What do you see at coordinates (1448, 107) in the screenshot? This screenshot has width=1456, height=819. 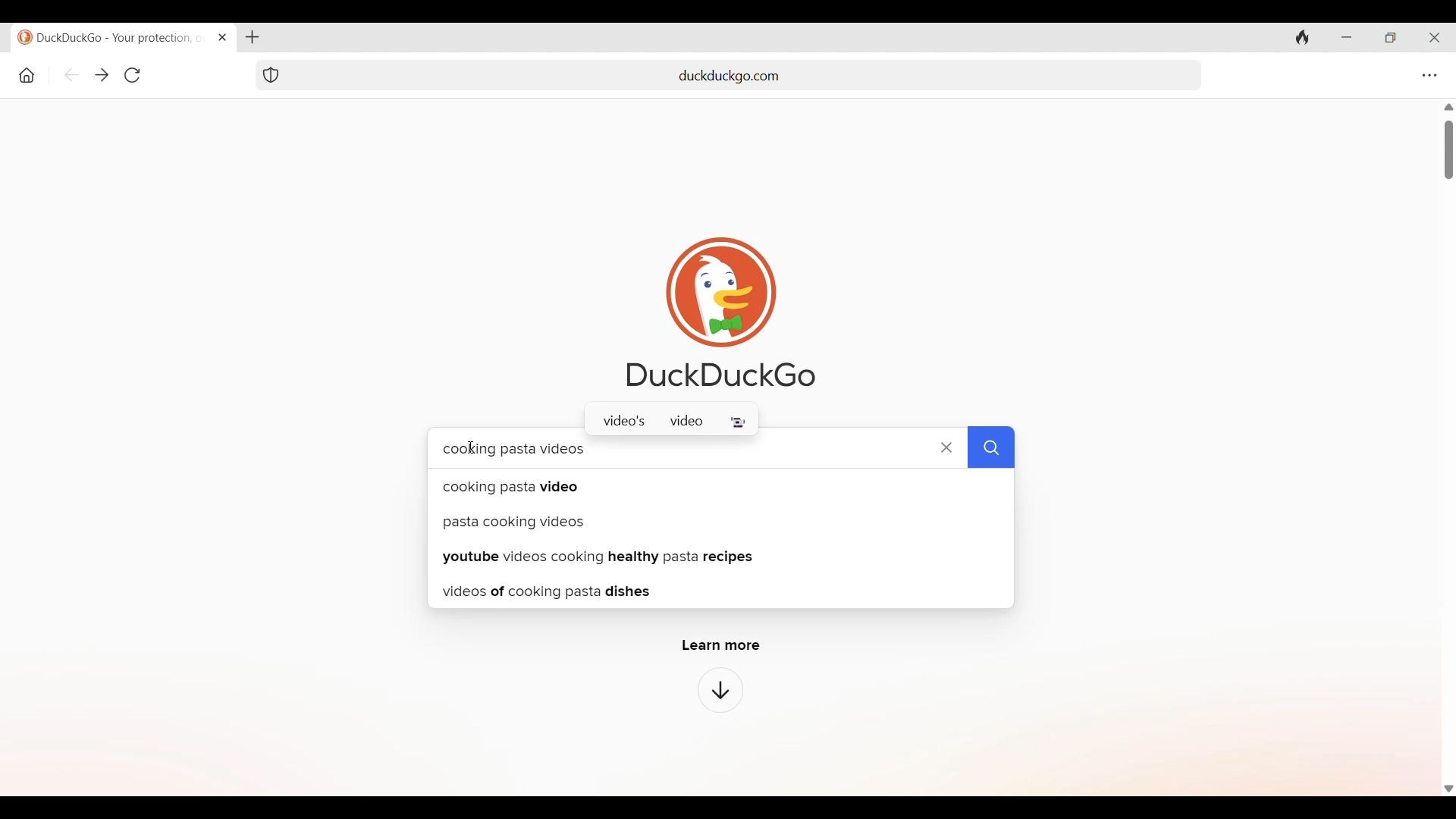 I see `Quick slide to top` at bounding box center [1448, 107].